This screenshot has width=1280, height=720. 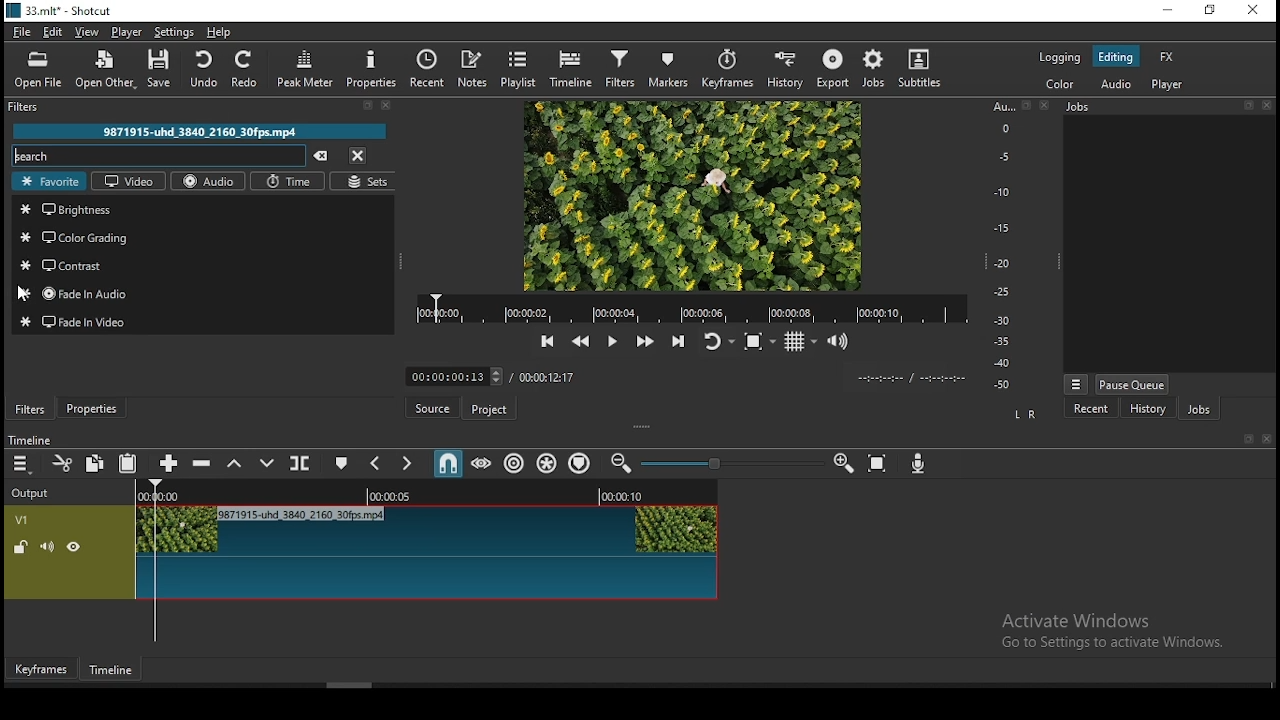 What do you see at coordinates (479, 463) in the screenshot?
I see `scrub while dragging` at bounding box center [479, 463].